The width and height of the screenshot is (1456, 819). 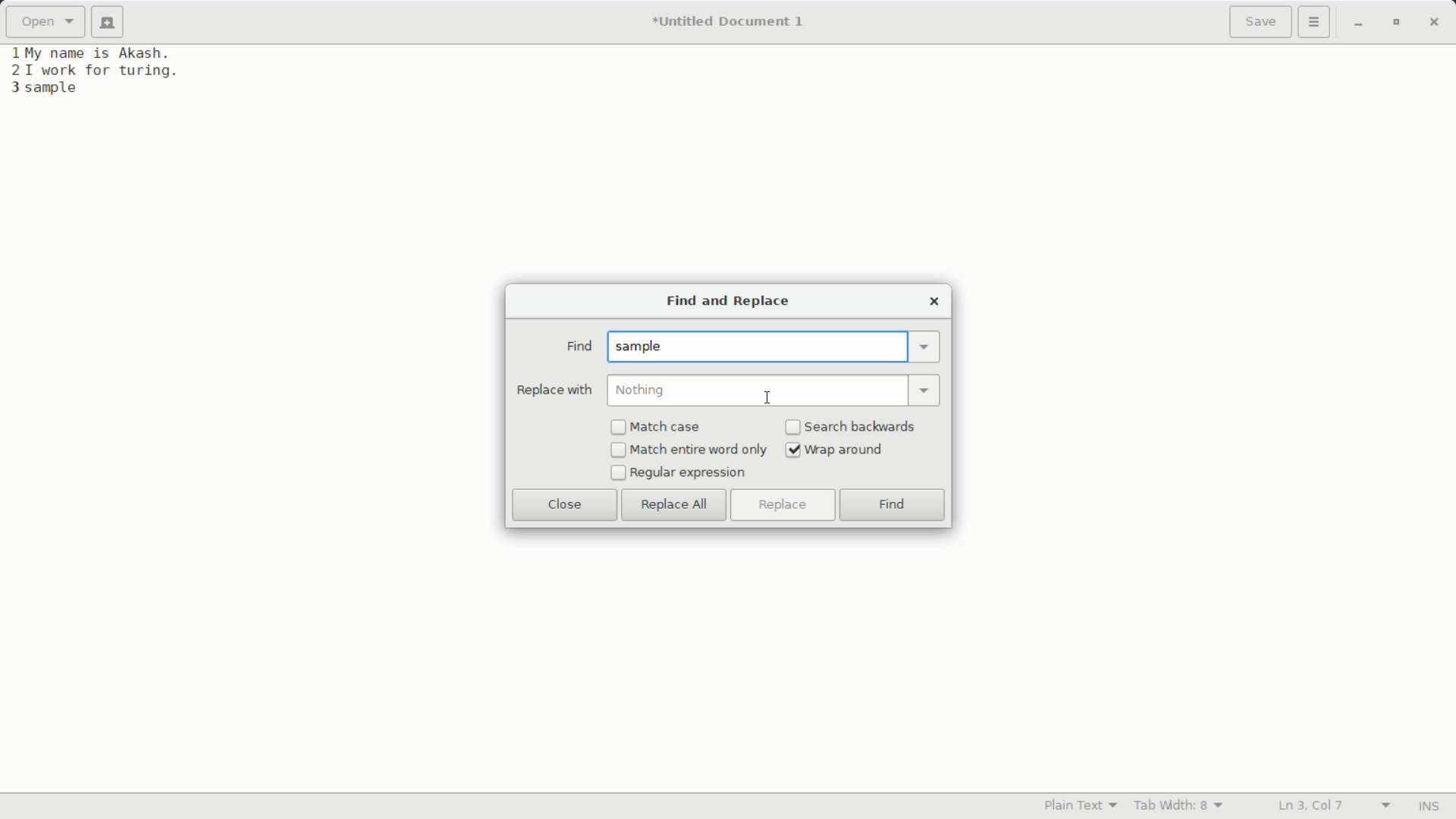 I want to click on checkbox, so click(x=618, y=451).